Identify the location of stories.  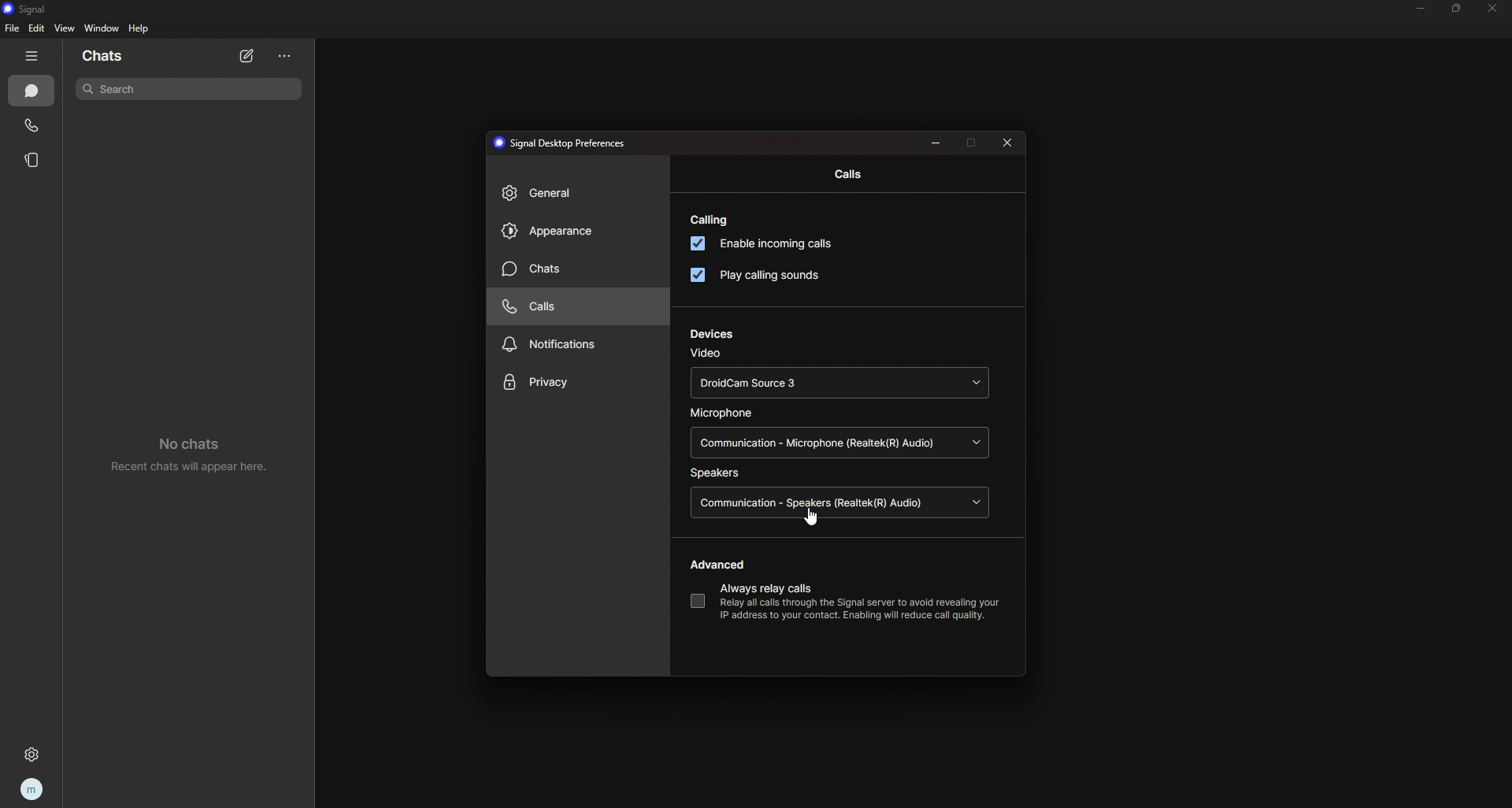
(34, 161).